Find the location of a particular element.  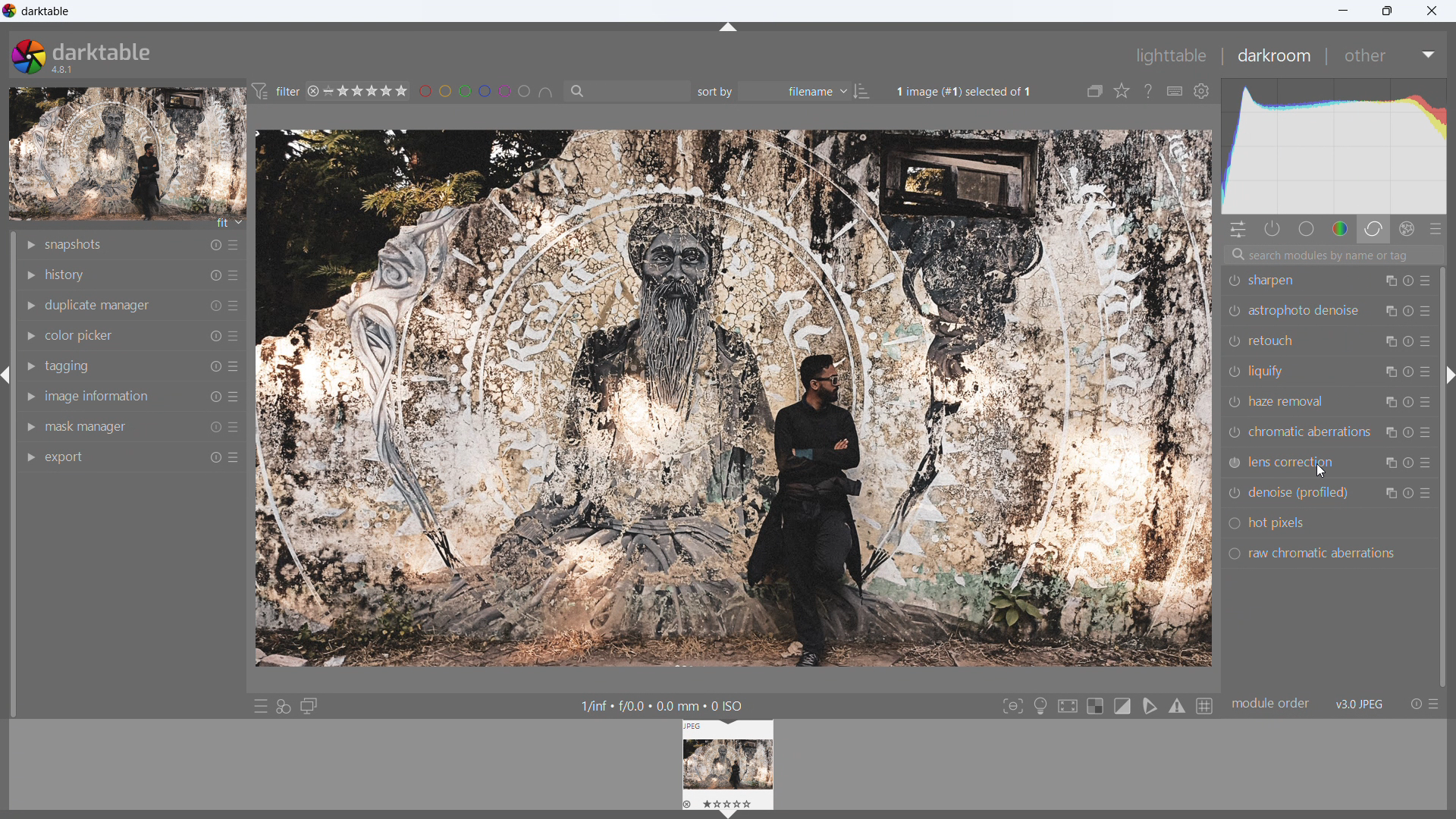

toggle ISO 12646 color assessment conditions is located at coordinates (1040, 705).